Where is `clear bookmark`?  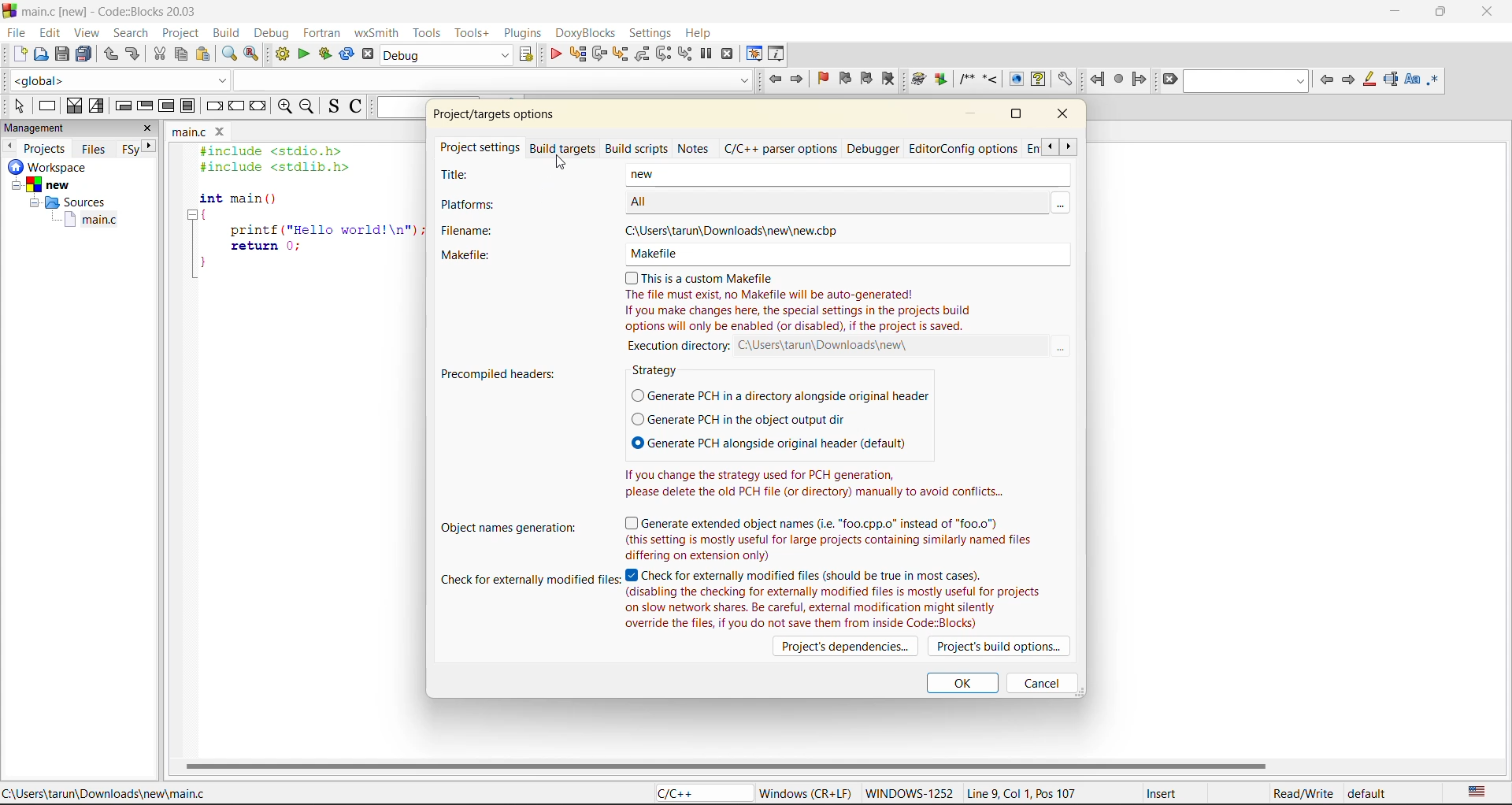 clear bookmark is located at coordinates (891, 81).